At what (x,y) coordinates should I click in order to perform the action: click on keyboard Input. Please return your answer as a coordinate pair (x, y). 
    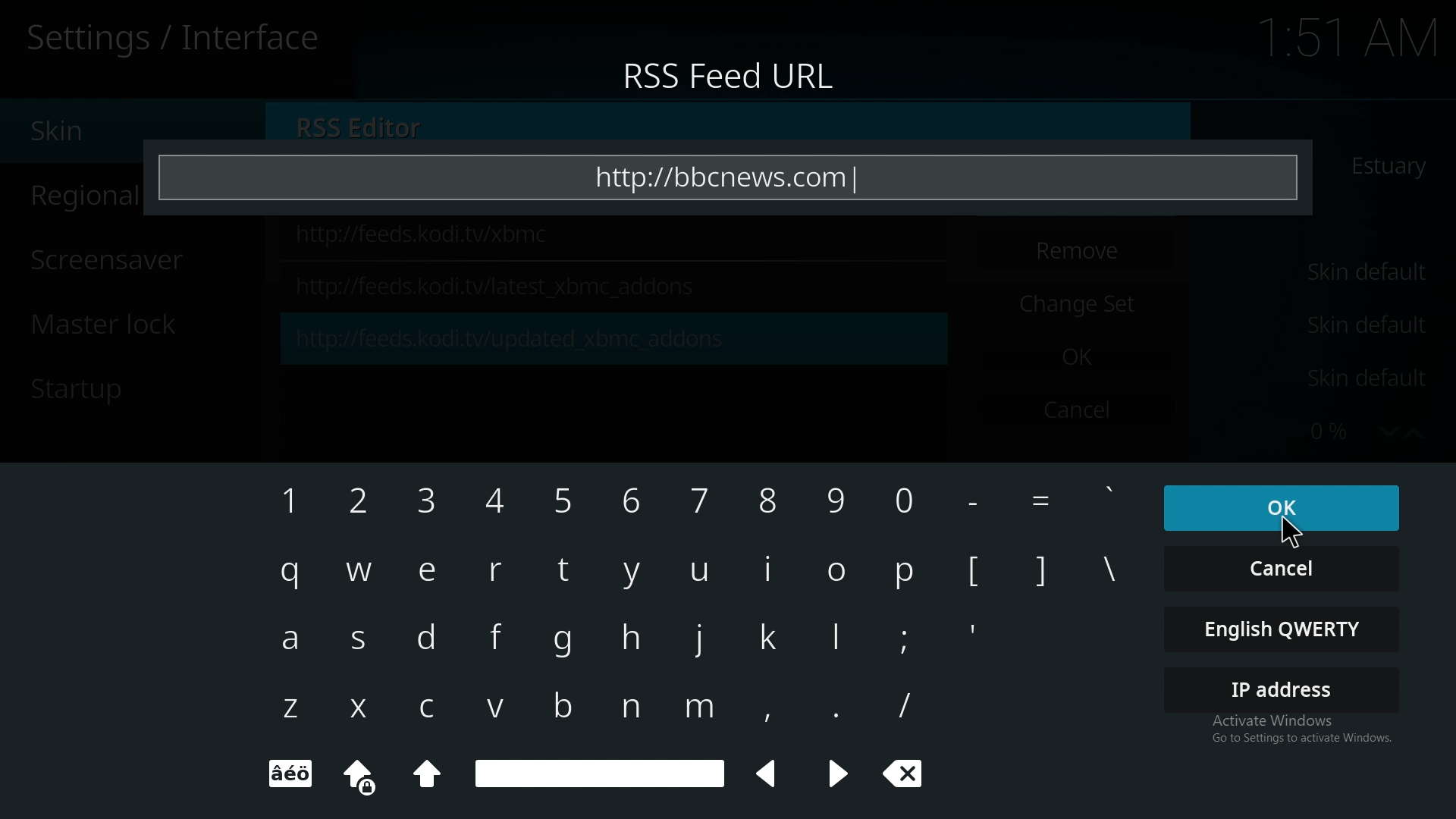
    Looking at the image, I should click on (566, 645).